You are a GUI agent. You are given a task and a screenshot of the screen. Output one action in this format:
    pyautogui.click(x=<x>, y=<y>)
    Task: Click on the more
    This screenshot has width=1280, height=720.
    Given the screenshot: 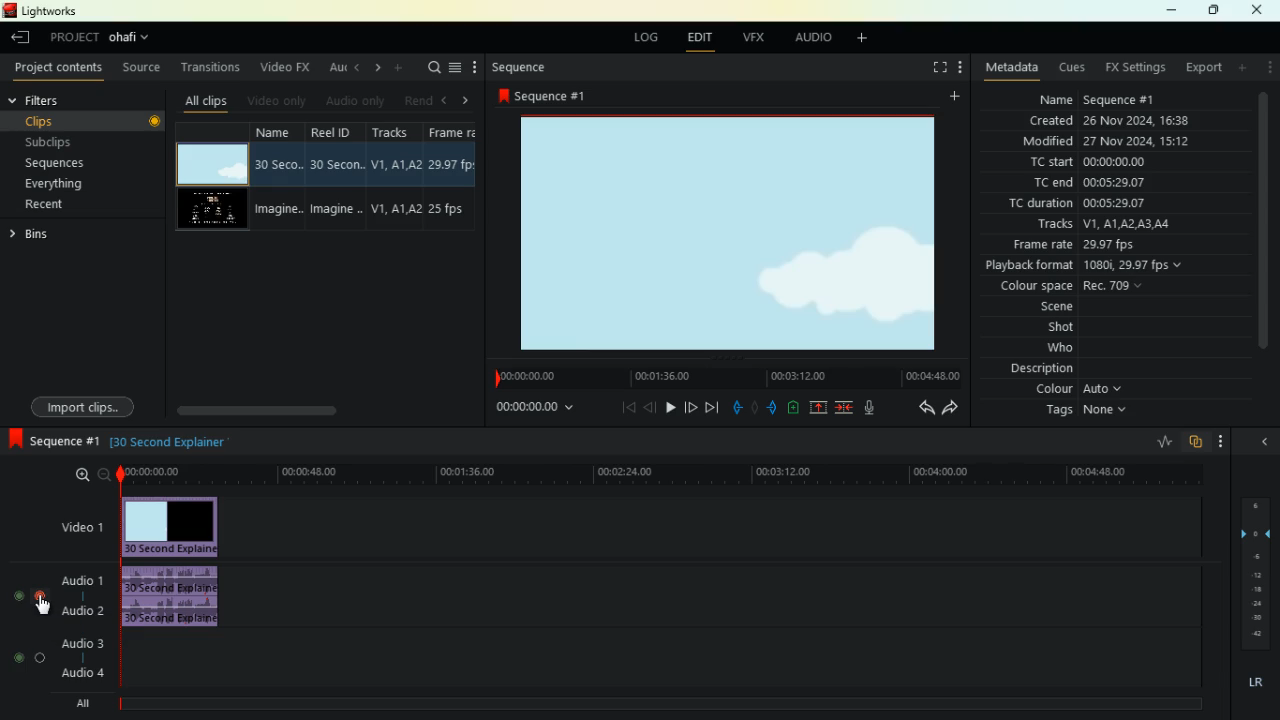 What is the action you would take?
    pyautogui.click(x=398, y=68)
    